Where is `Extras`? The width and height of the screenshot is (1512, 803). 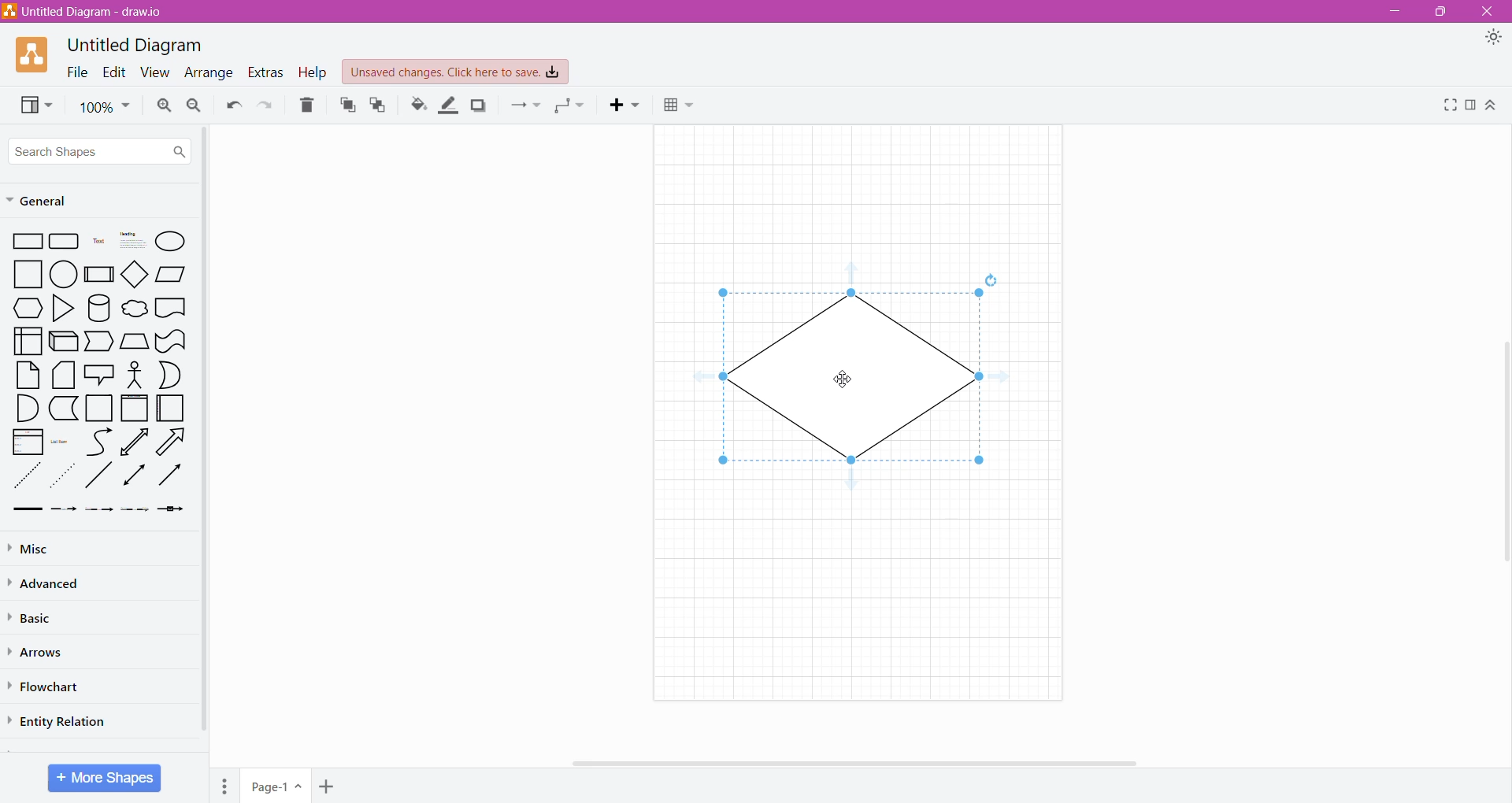 Extras is located at coordinates (265, 72).